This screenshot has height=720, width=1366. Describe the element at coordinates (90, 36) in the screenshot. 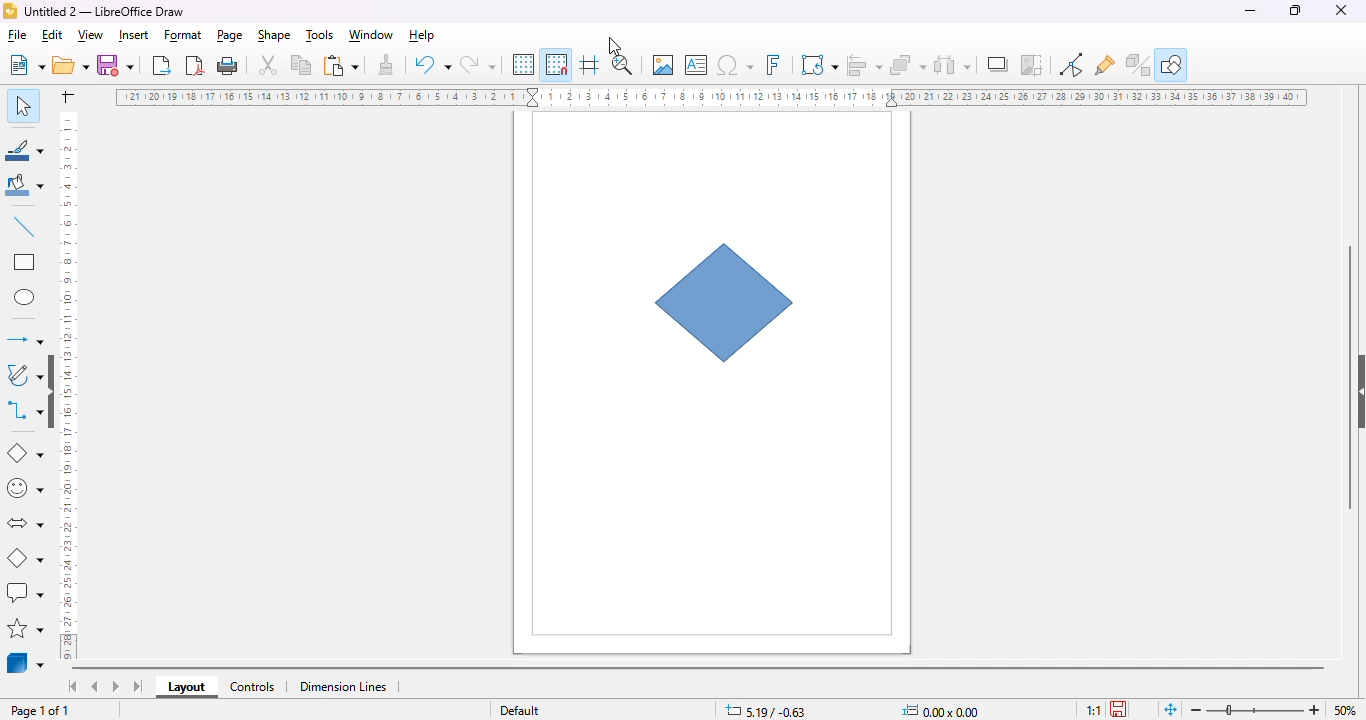

I see `view` at that location.